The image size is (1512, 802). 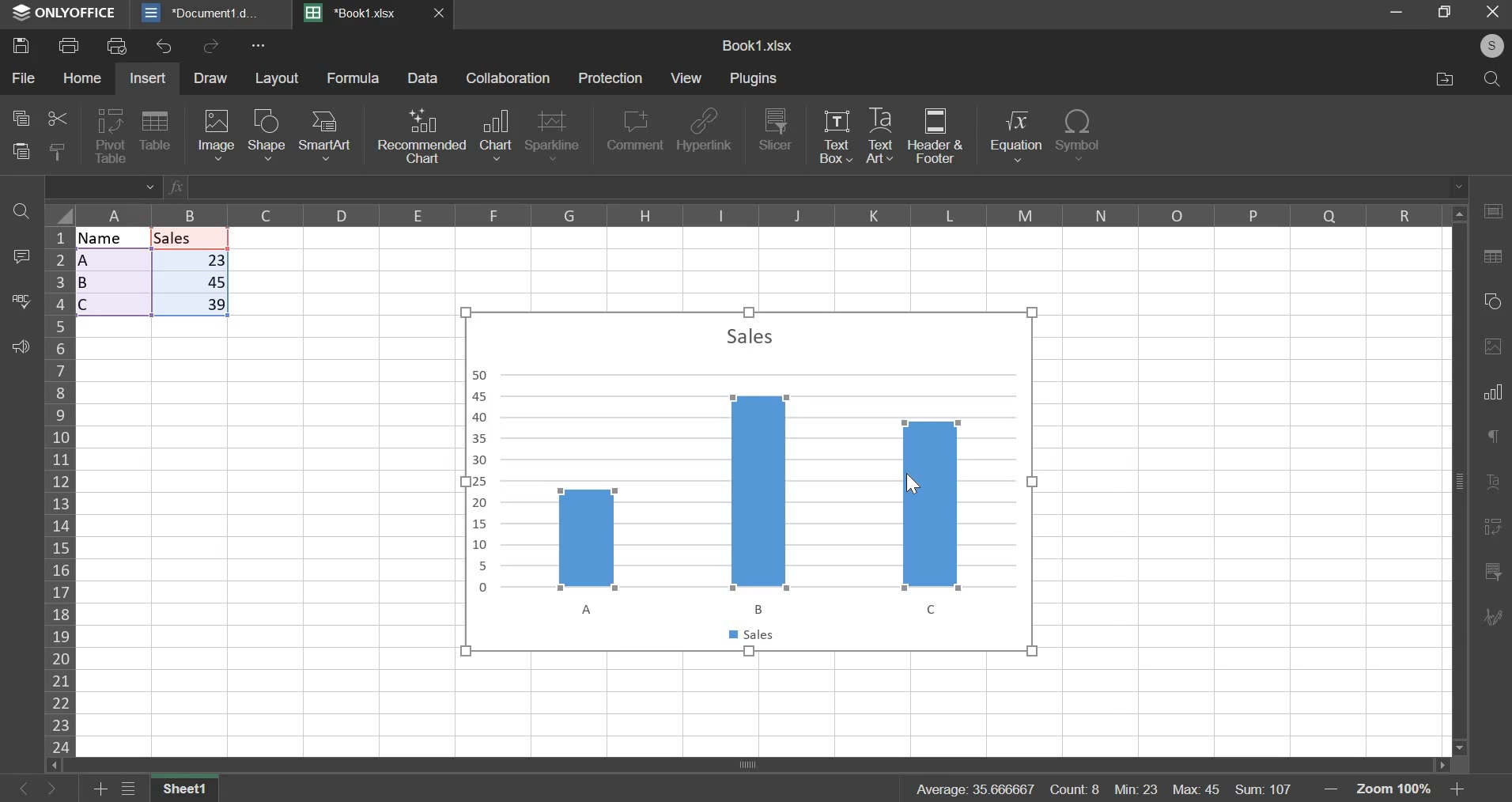 What do you see at coordinates (210, 78) in the screenshot?
I see `draw` at bounding box center [210, 78].